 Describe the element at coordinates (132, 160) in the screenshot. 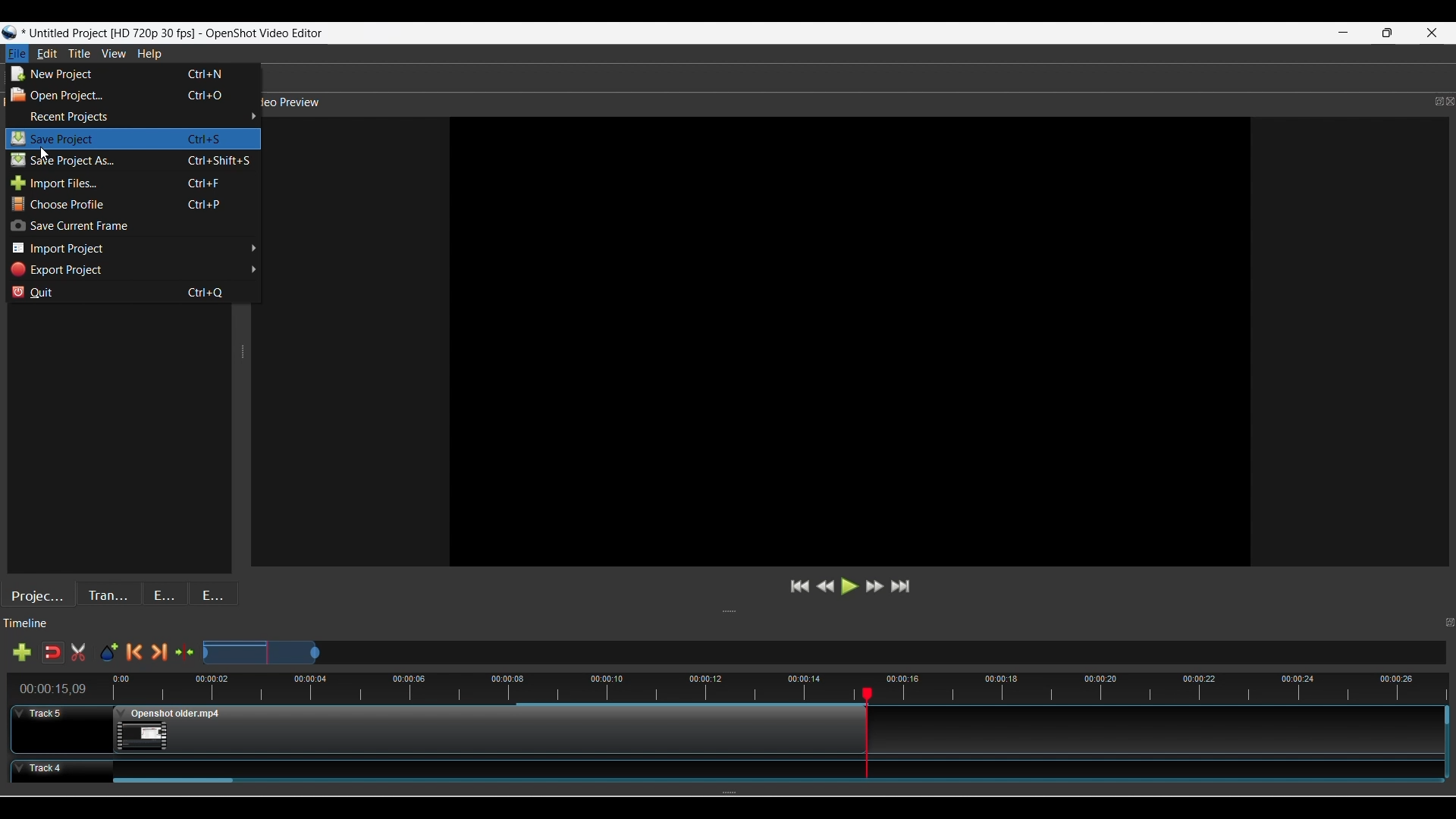

I see `Save project` at that location.